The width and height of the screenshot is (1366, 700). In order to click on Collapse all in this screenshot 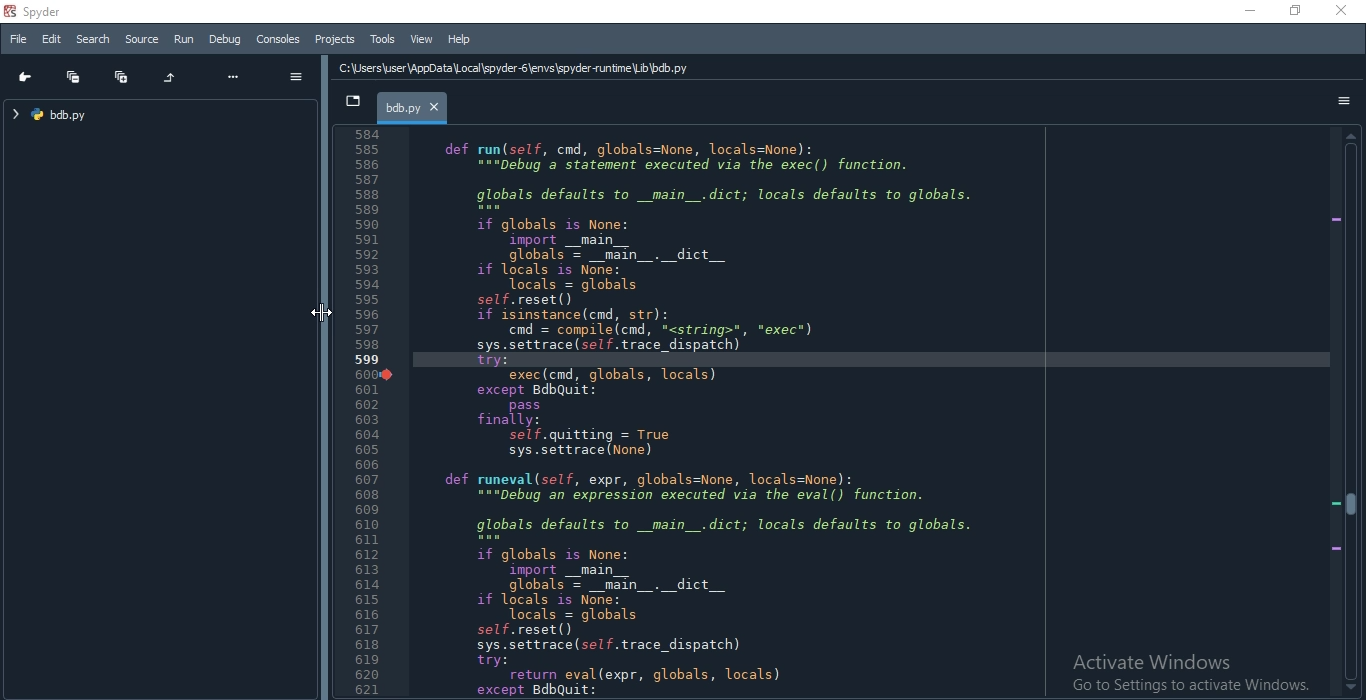, I will do `click(72, 77)`.